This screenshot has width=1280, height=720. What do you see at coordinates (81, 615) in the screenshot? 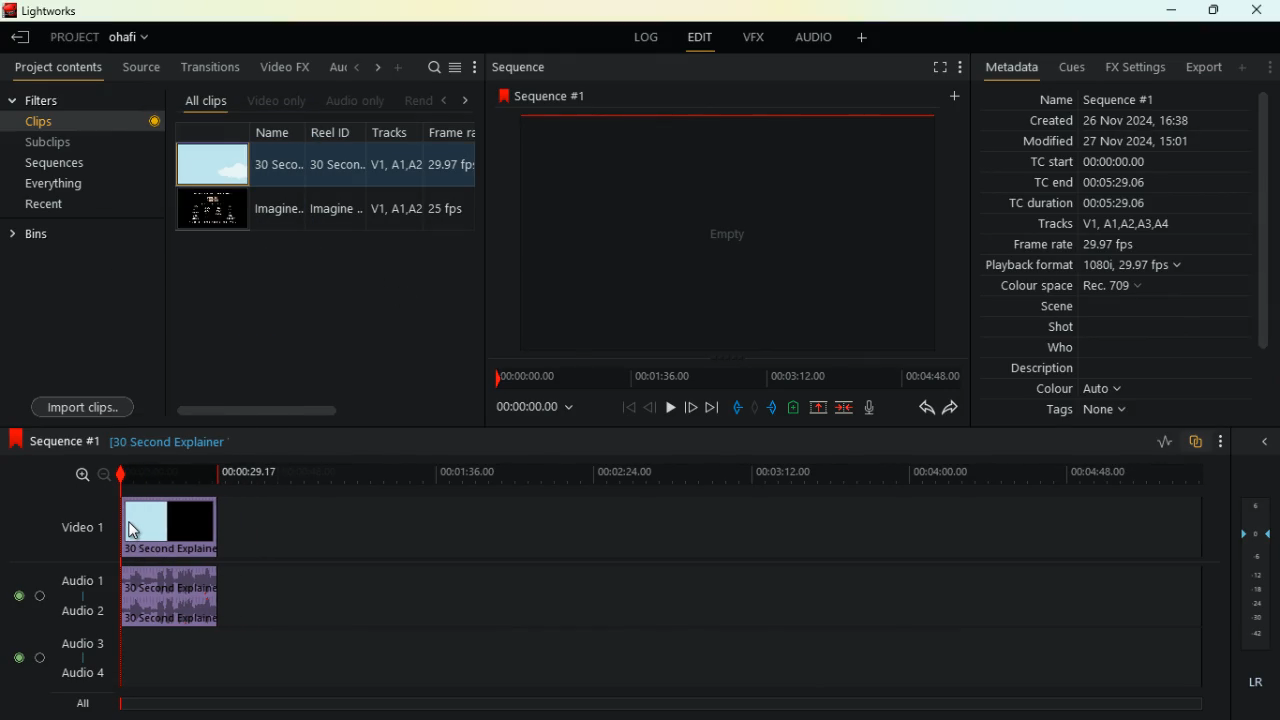
I see `audio 2` at bounding box center [81, 615].